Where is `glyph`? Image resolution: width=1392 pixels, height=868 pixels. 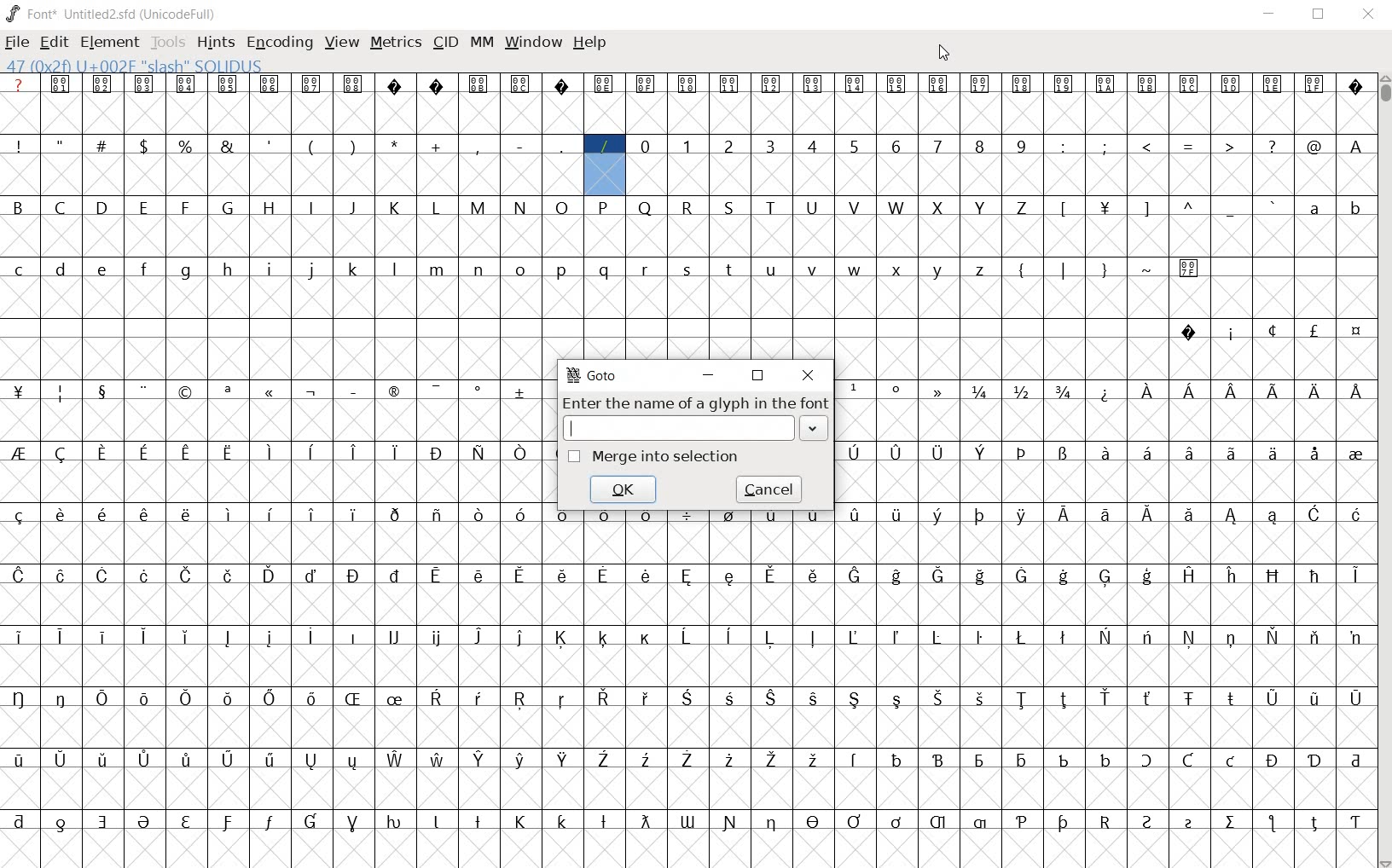 glyph is located at coordinates (687, 637).